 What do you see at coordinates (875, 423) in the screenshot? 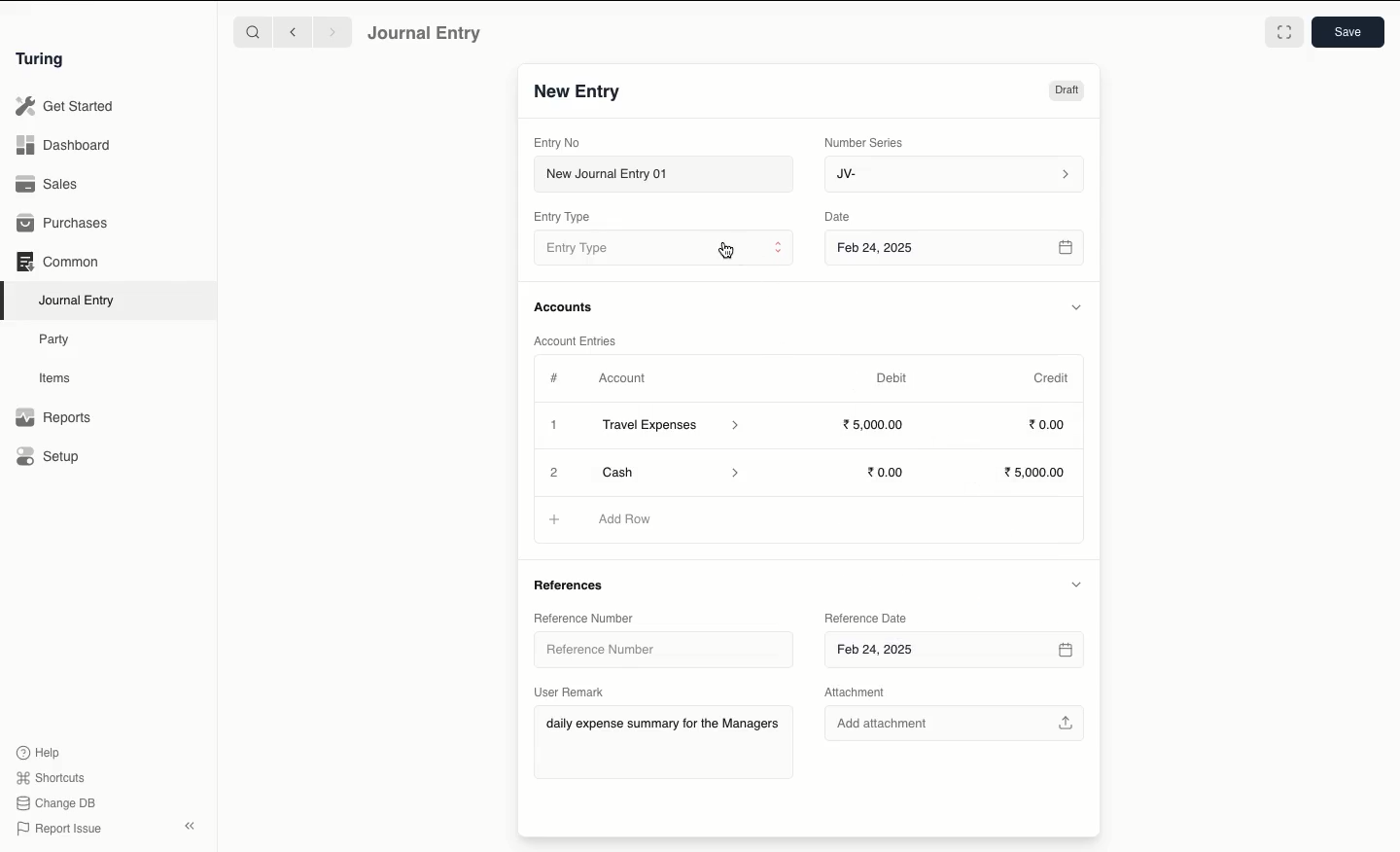
I see `5000.00` at bounding box center [875, 423].